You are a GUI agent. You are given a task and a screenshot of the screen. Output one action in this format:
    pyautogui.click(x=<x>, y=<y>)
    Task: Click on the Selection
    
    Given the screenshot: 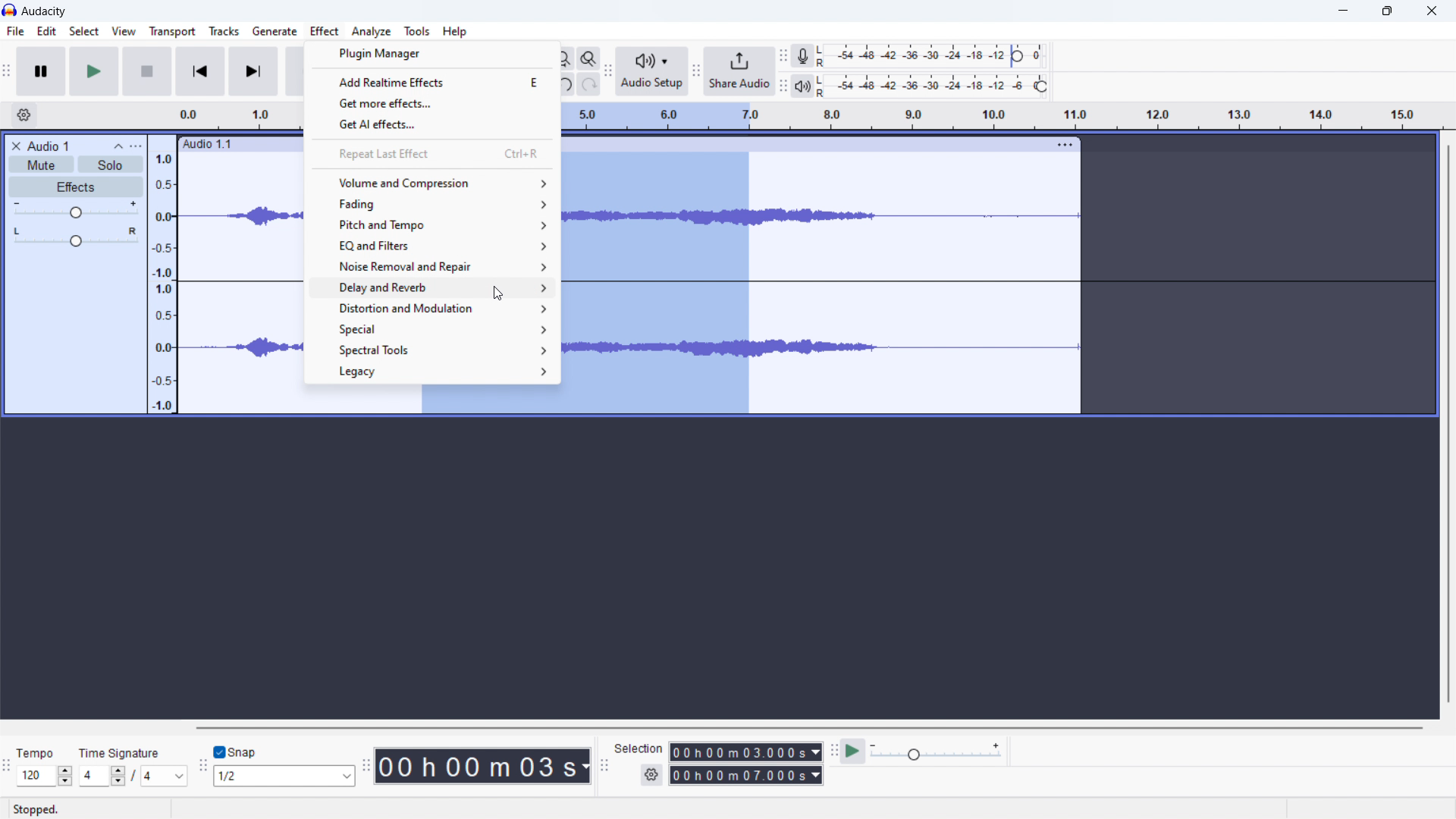 What is the action you would take?
    pyautogui.click(x=639, y=750)
    